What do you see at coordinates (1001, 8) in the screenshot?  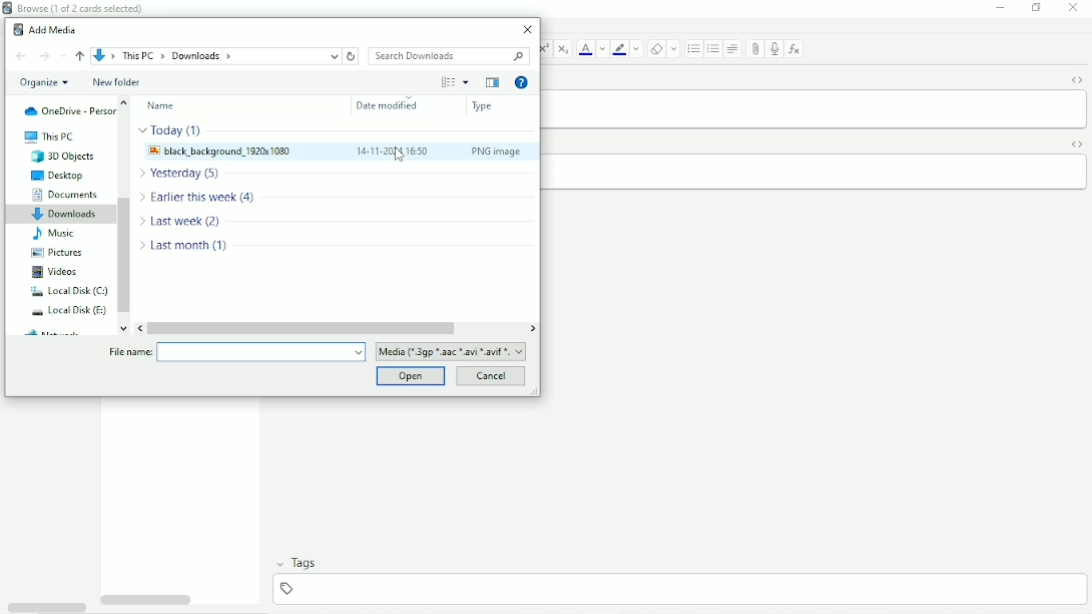 I see `Minimize` at bounding box center [1001, 8].